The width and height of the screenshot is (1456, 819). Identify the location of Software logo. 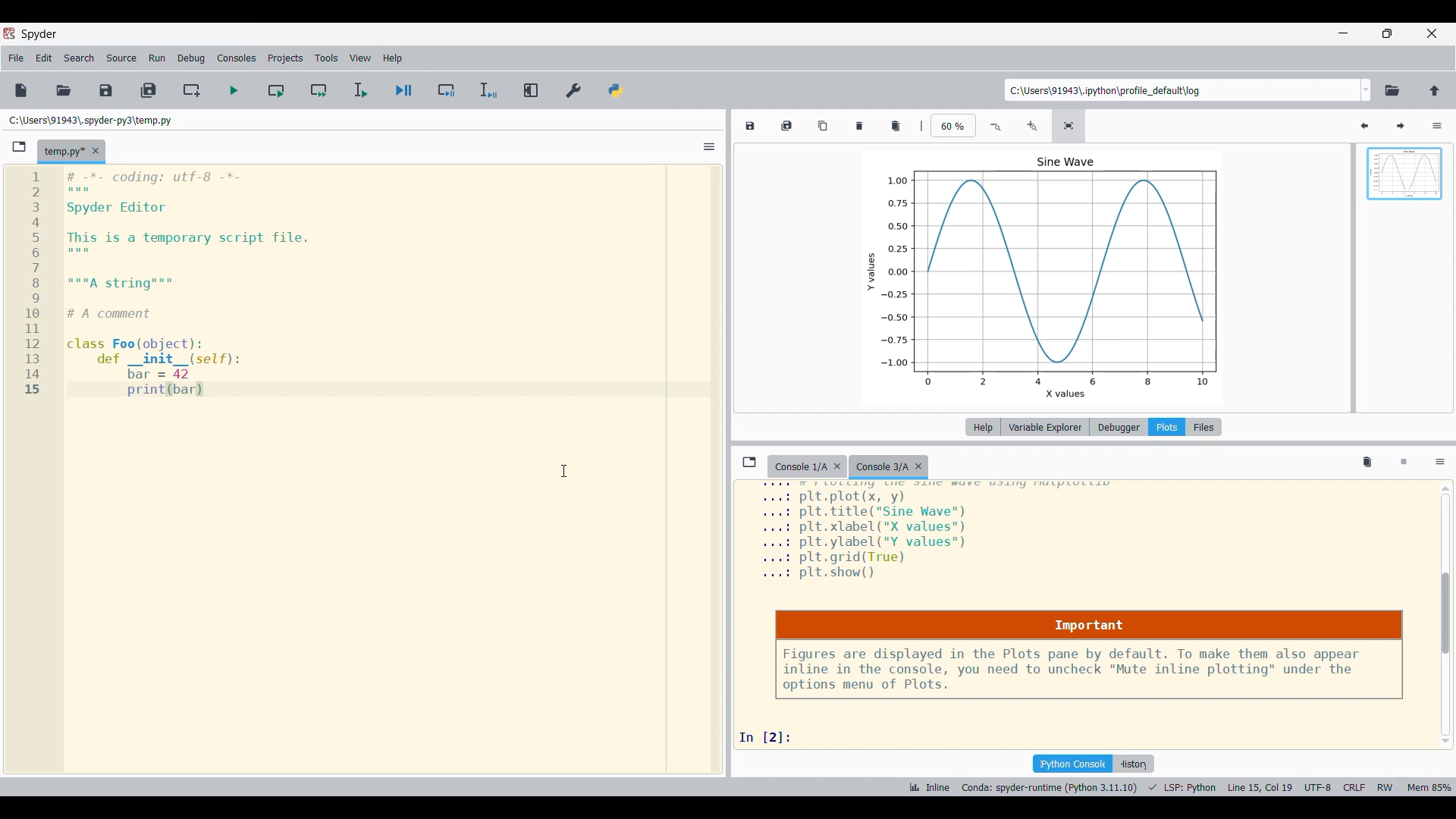
(9, 33).